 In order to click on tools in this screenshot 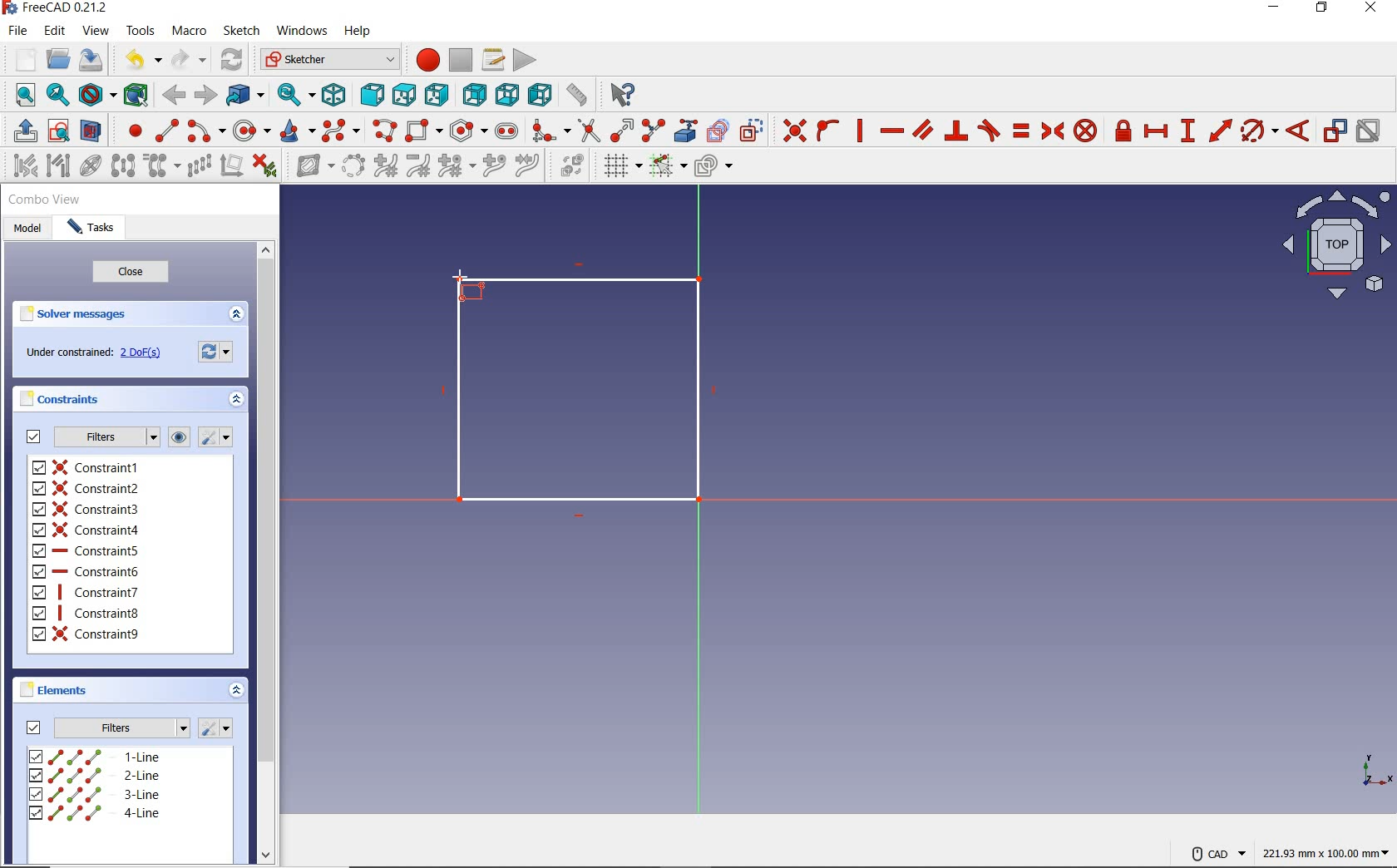, I will do `click(141, 32)`.